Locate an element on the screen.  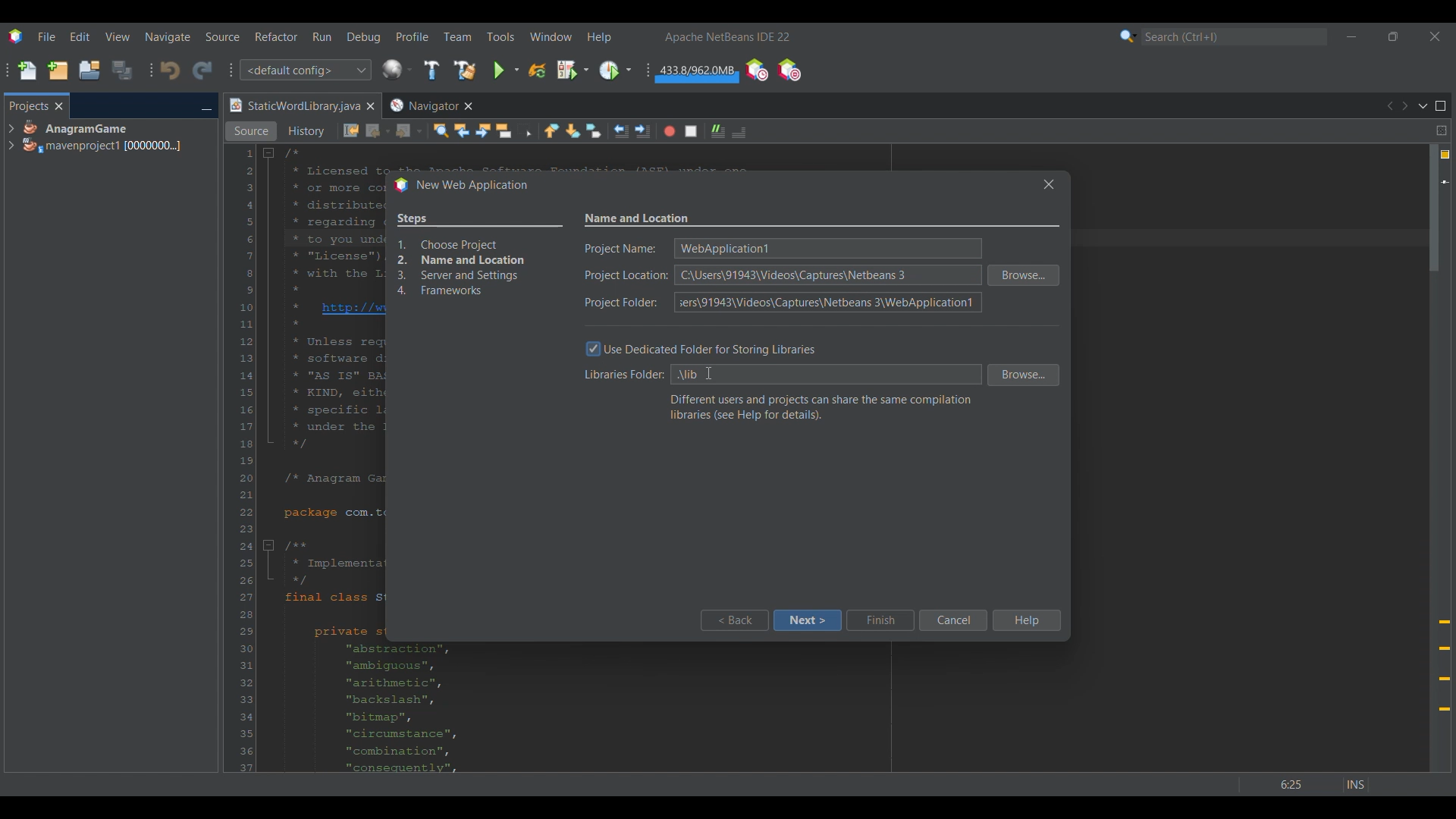
View menu is located at coordinates (118, 36).